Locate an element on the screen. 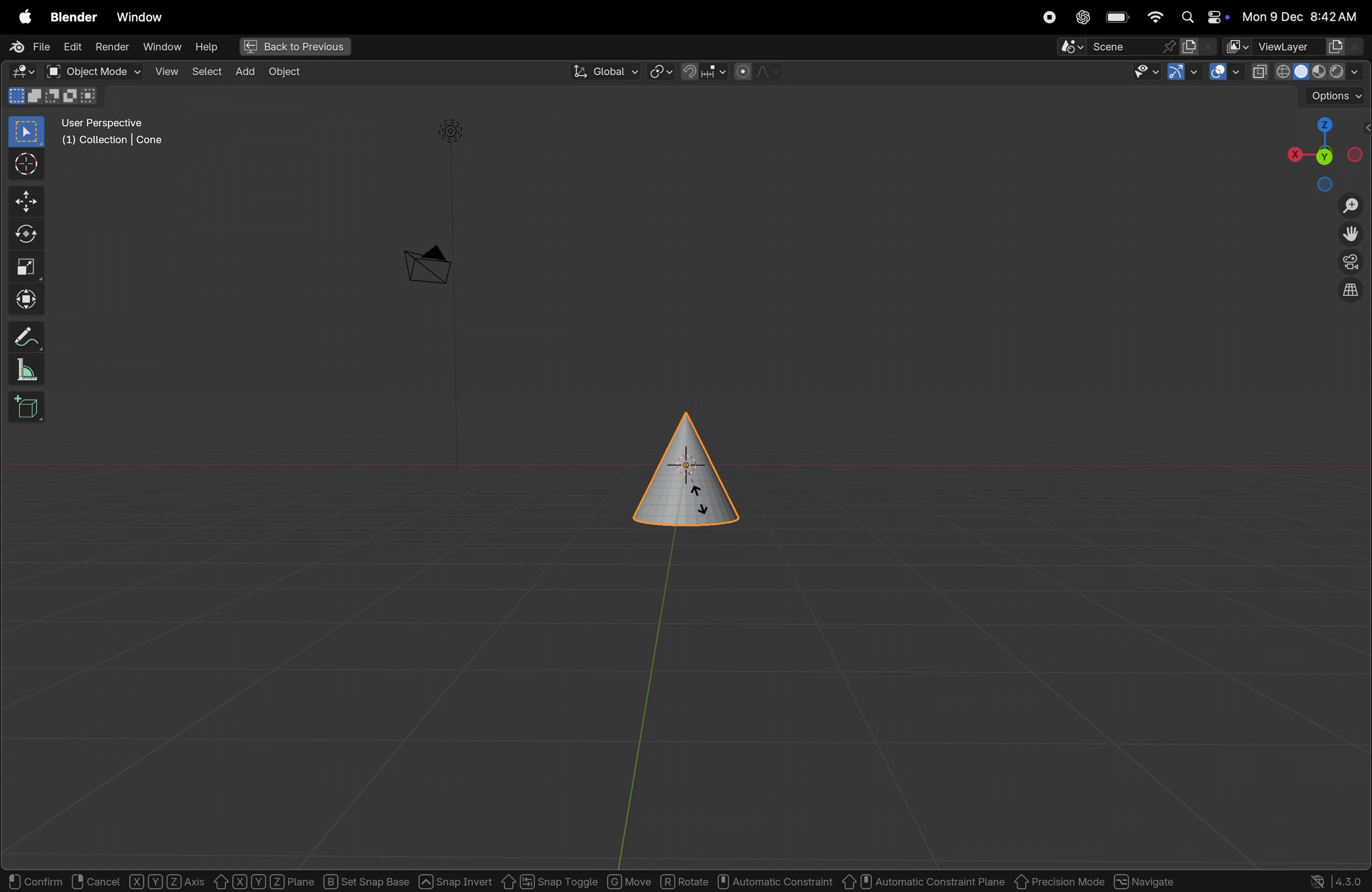 This screenshot has width=1372, height=892. show overlays is located at coordinates (1226, 71).